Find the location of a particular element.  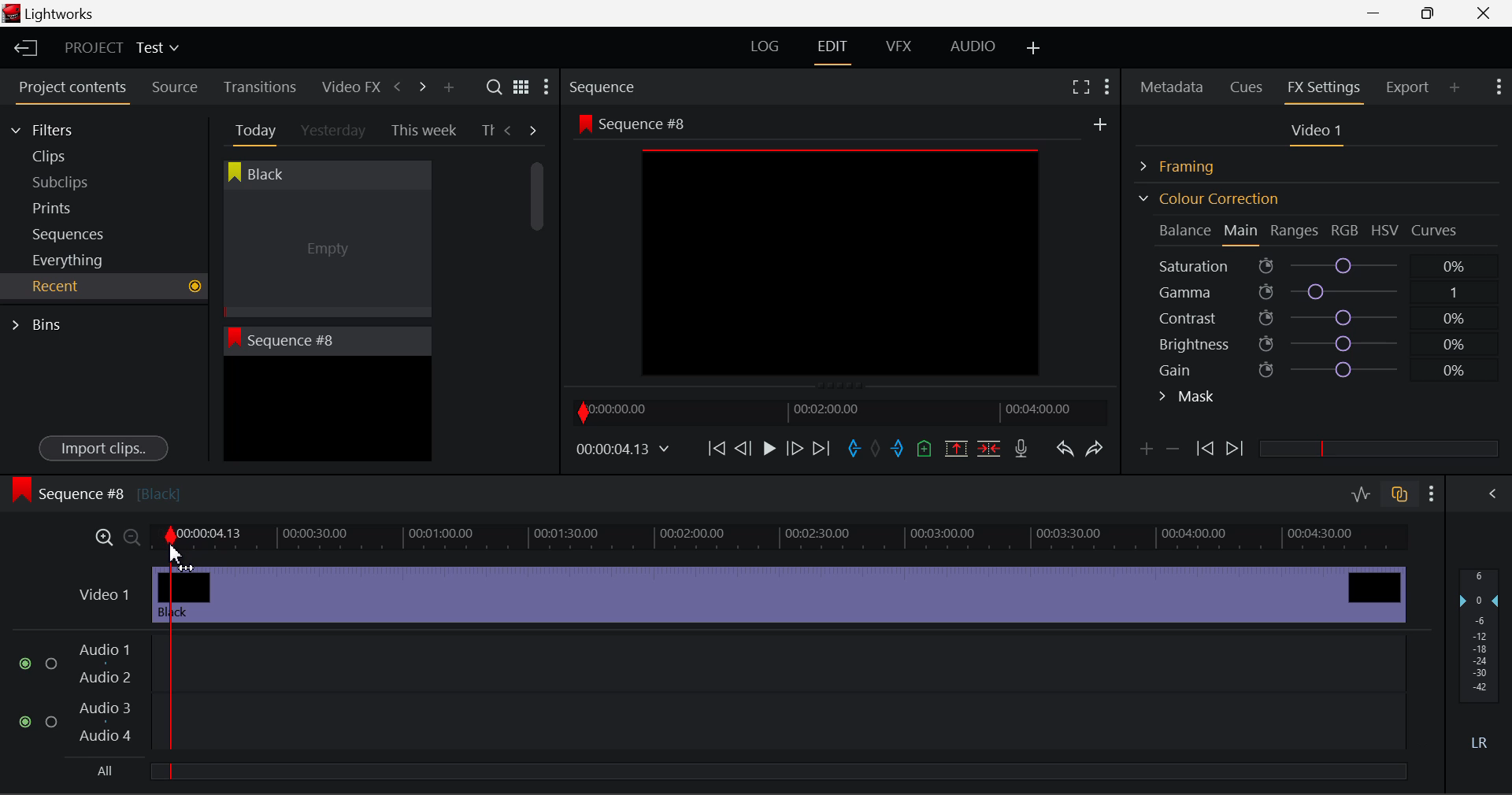

Sequences is located at coordinates (72, 232).